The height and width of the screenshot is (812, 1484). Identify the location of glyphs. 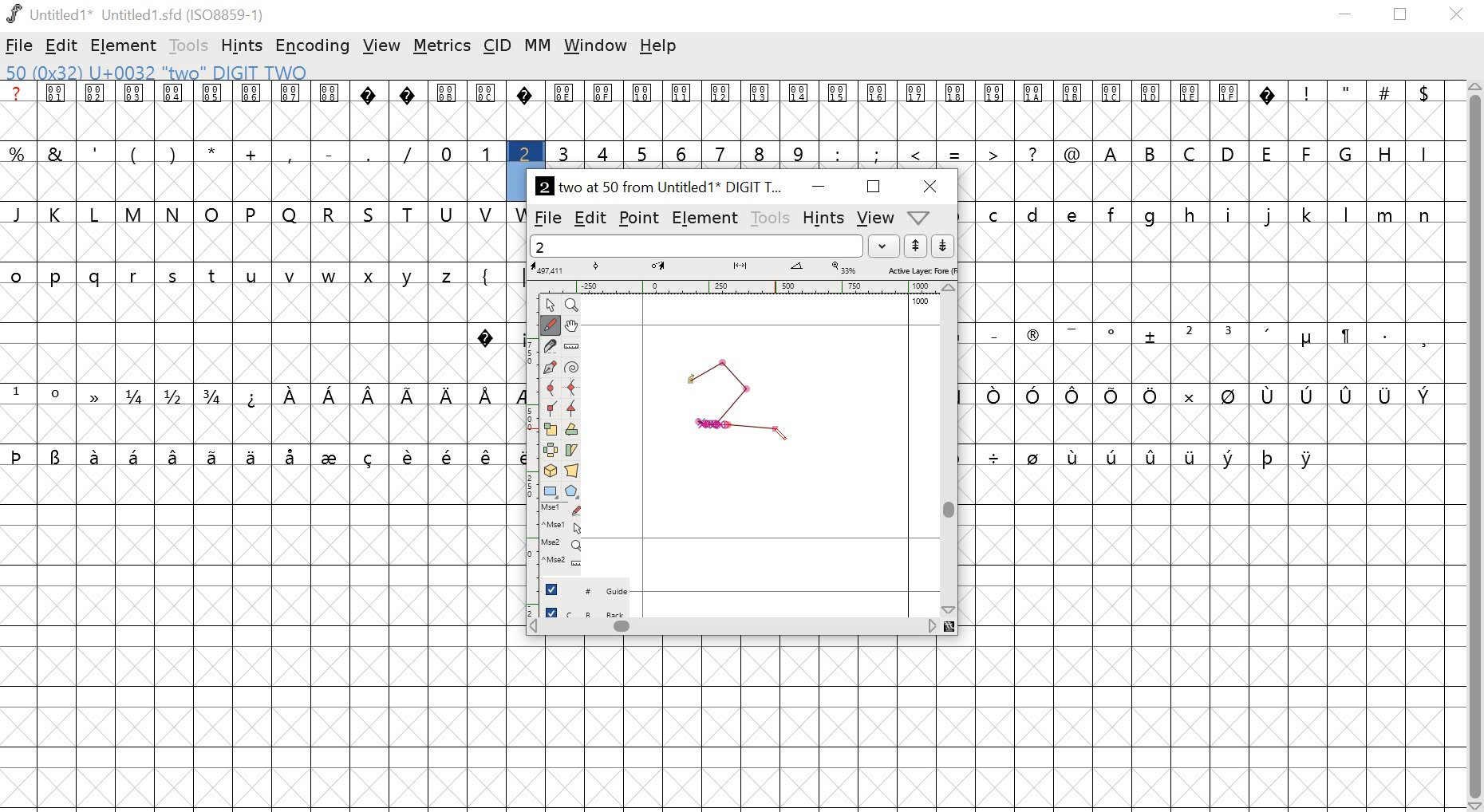
(1214, 340).